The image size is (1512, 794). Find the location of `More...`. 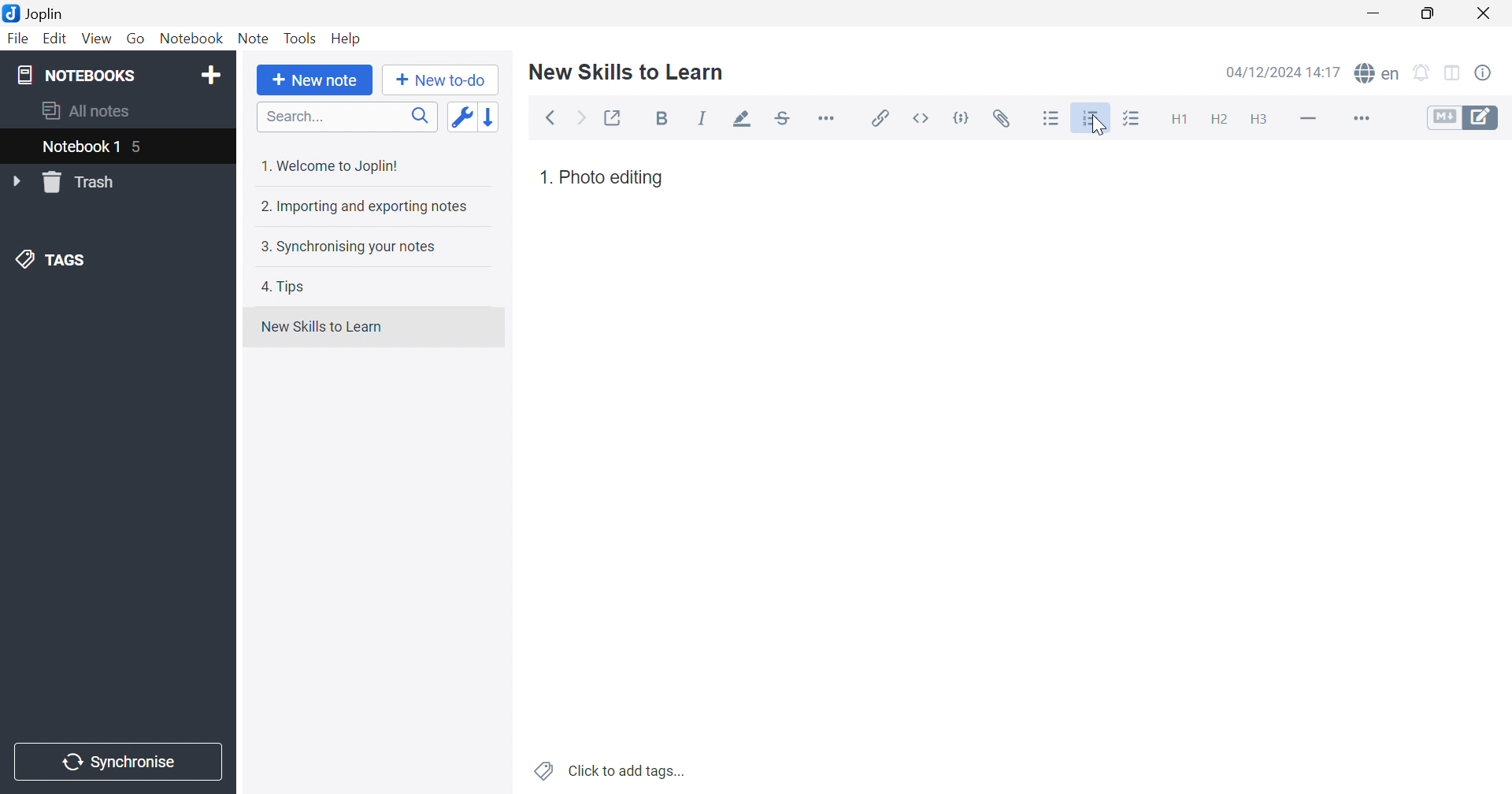

More... is located at coordinates (1359, 120).